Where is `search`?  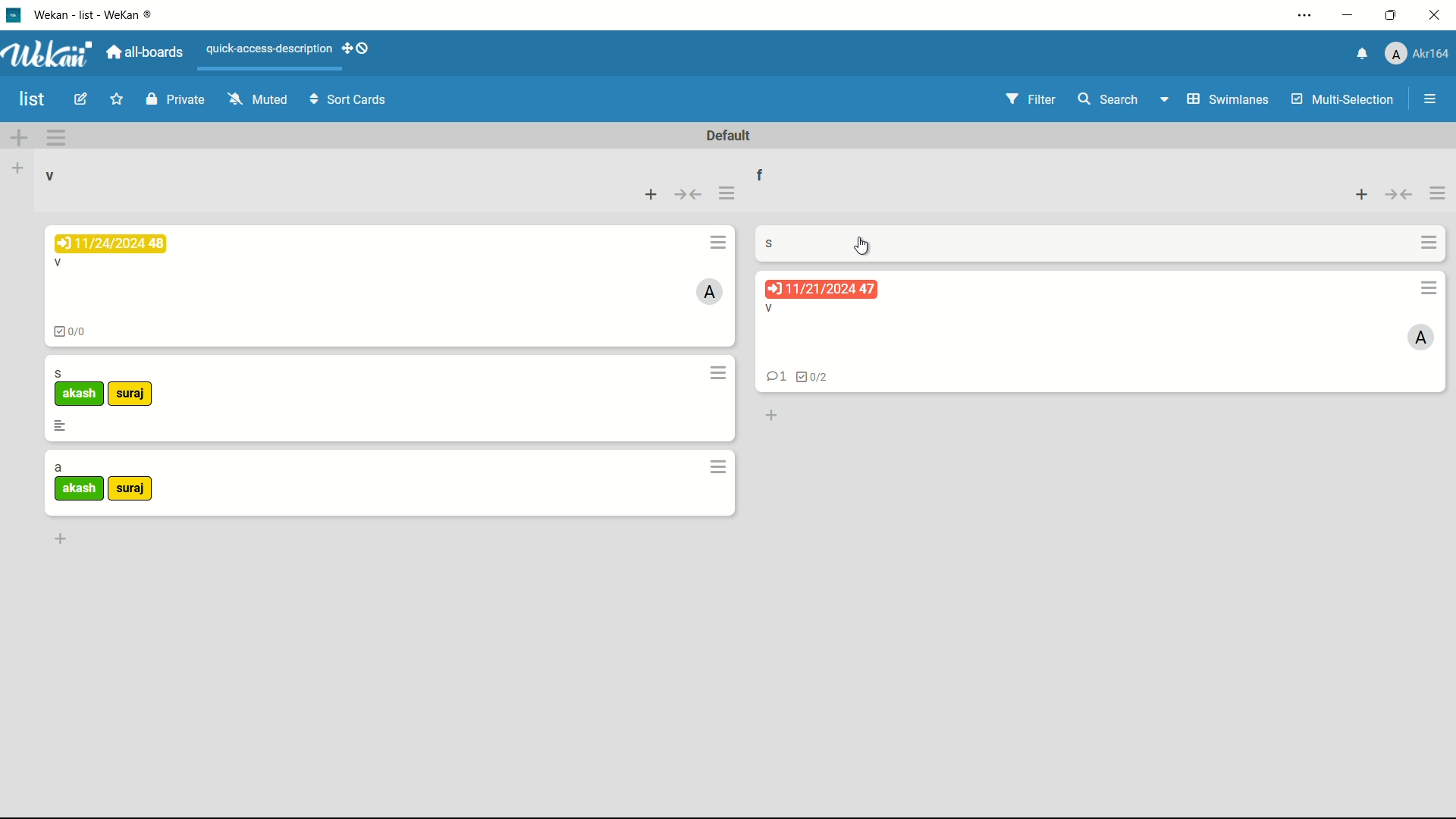
search is located at coordinates (1107, 99).